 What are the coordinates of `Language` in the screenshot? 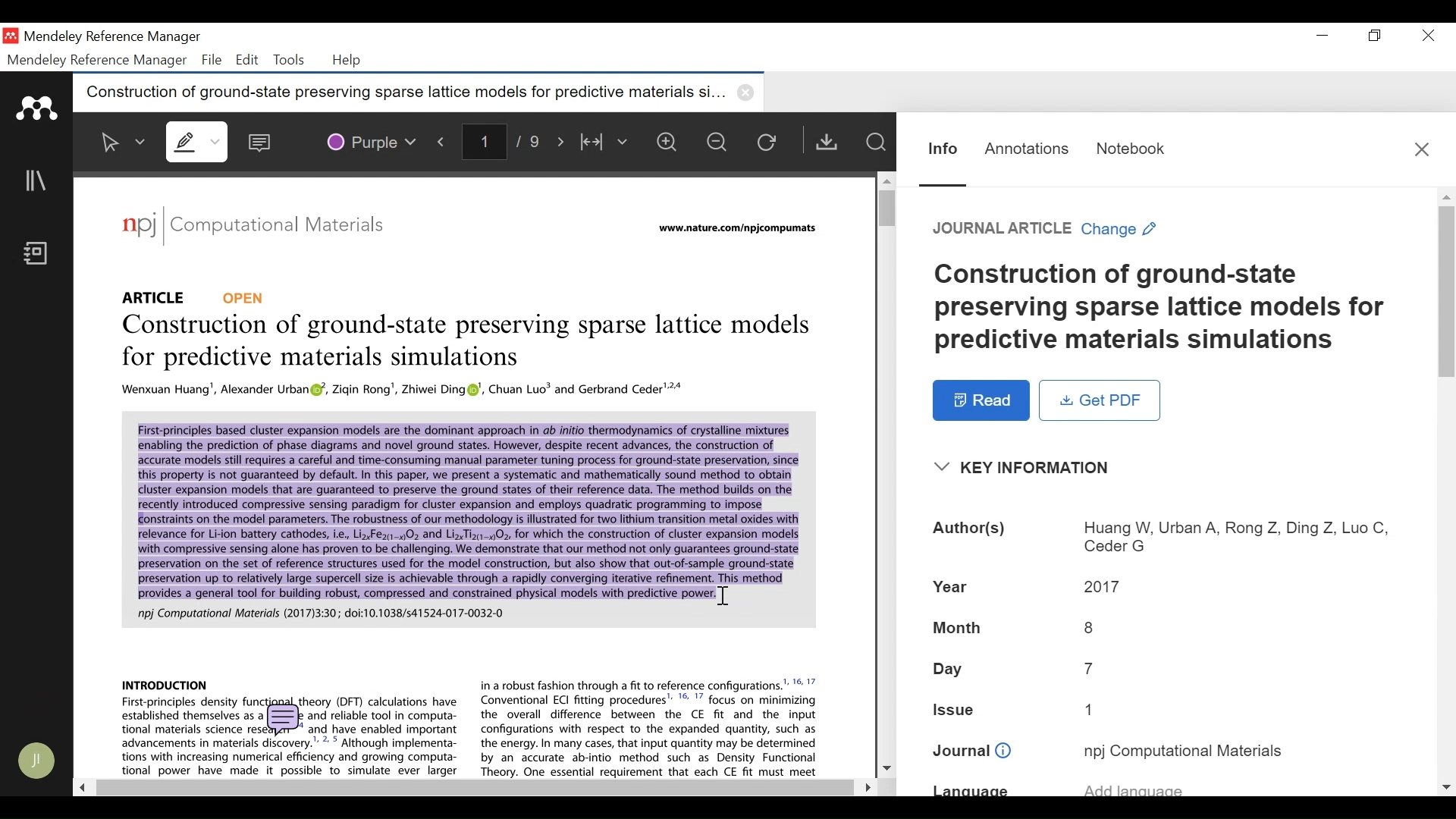 It's located at (971, 790).